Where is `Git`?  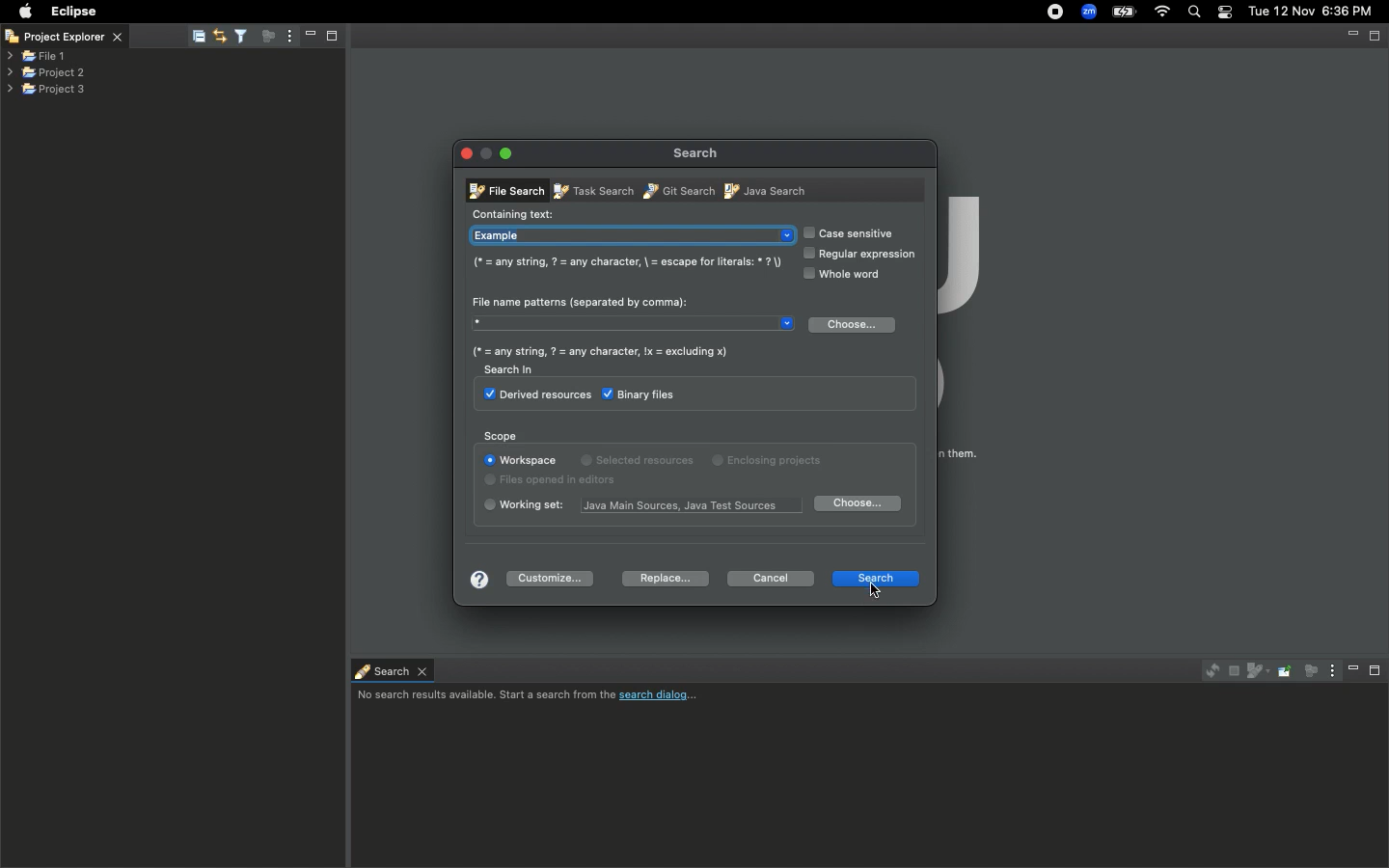 Git is located at coordinates (676, 190).